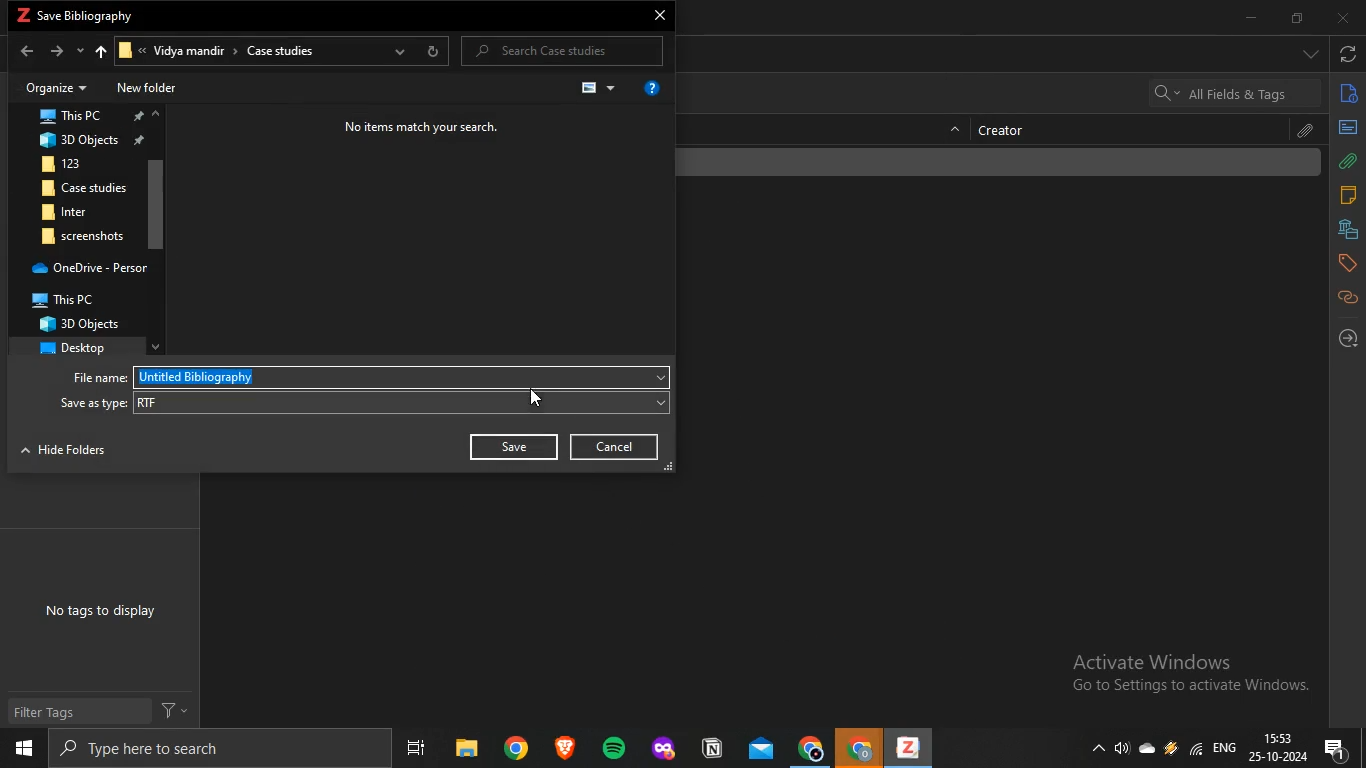  I want to click on scroll bar, so click(156, 204).